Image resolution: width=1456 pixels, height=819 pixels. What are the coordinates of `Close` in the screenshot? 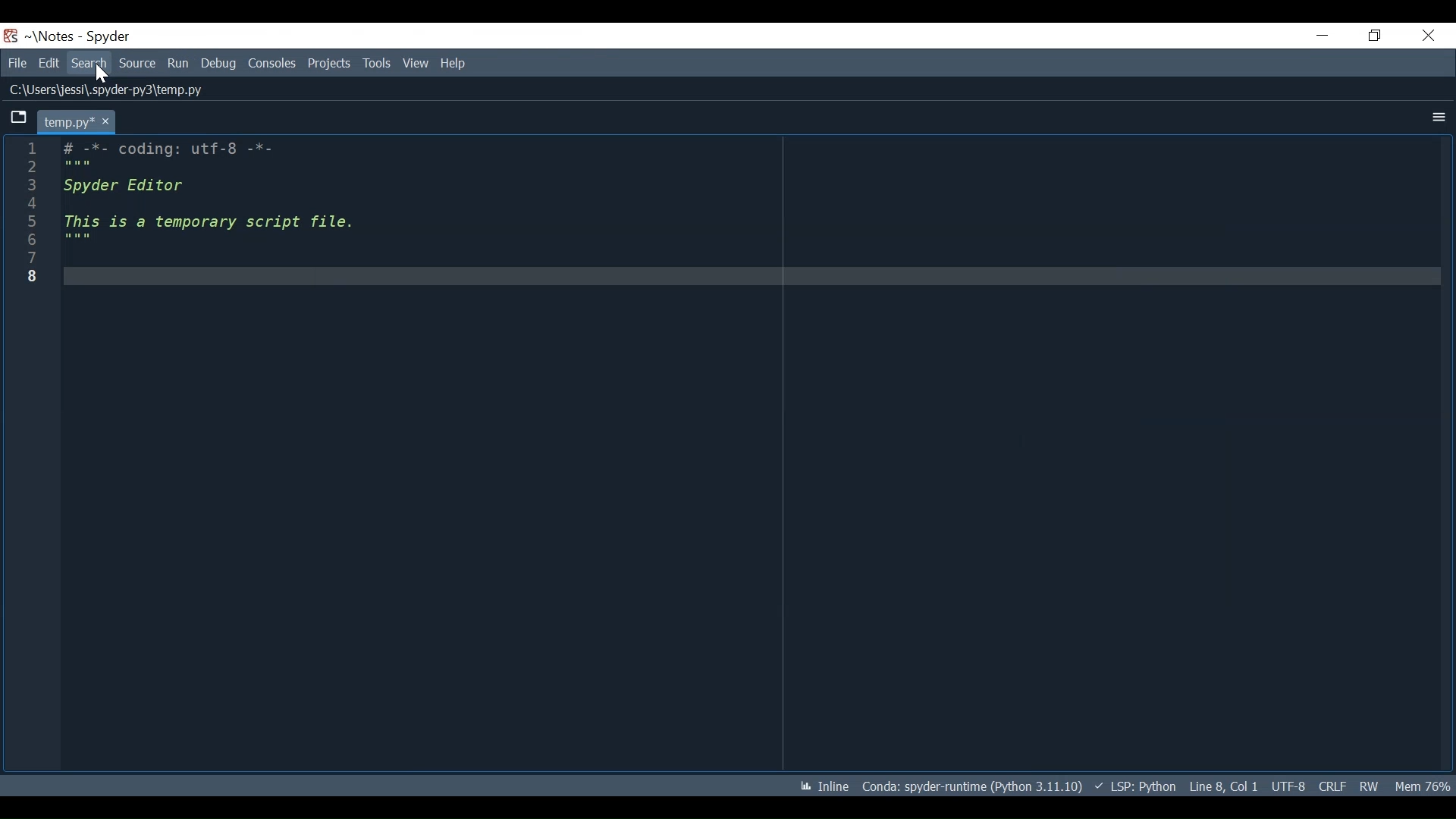 It's located at (1430, 35).